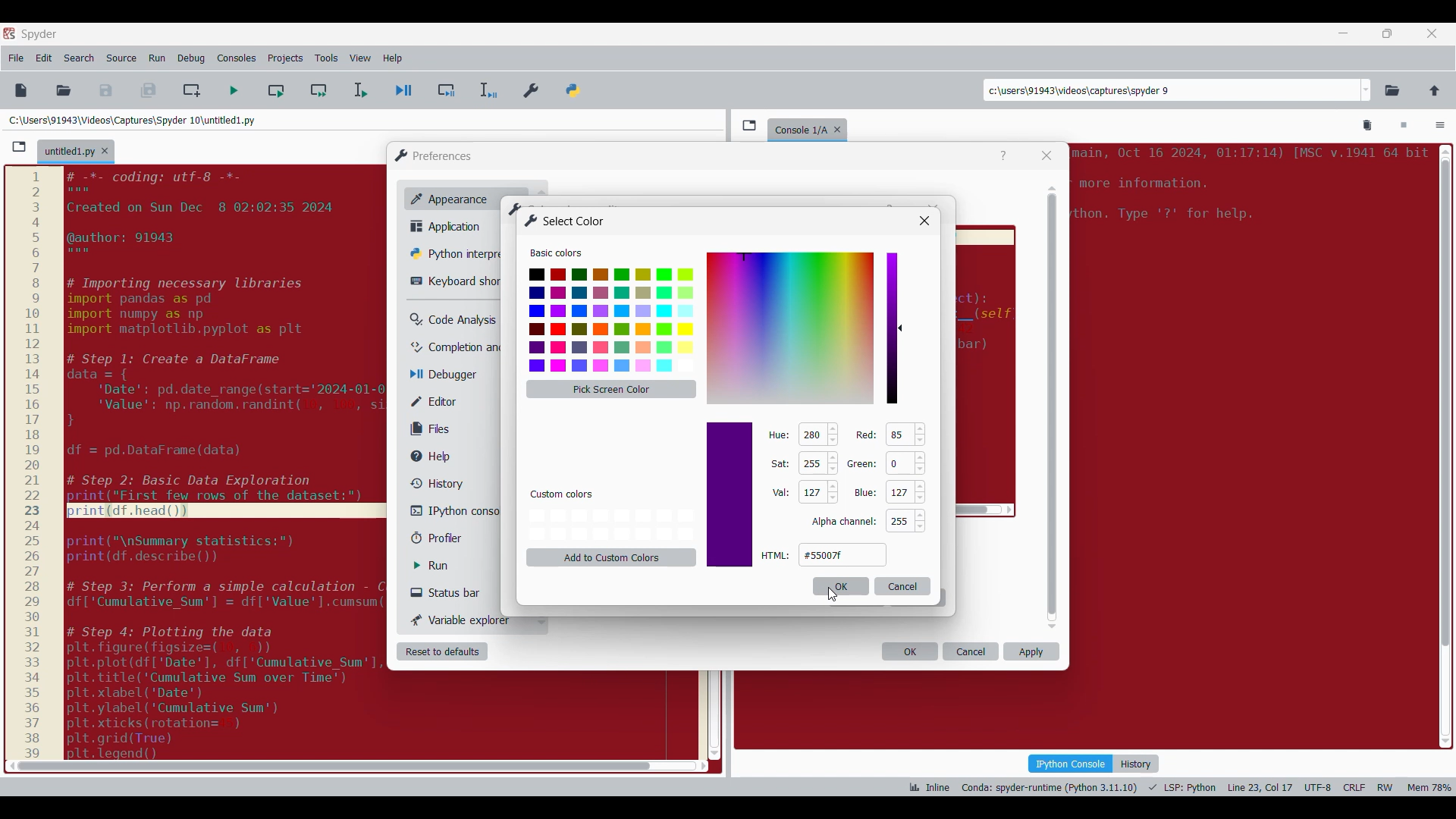 The width and height of the screenshot is (1456, 819). Describe the element at coordinates (1443, 442) in the screenshot. I see `scroll bar` at that location.